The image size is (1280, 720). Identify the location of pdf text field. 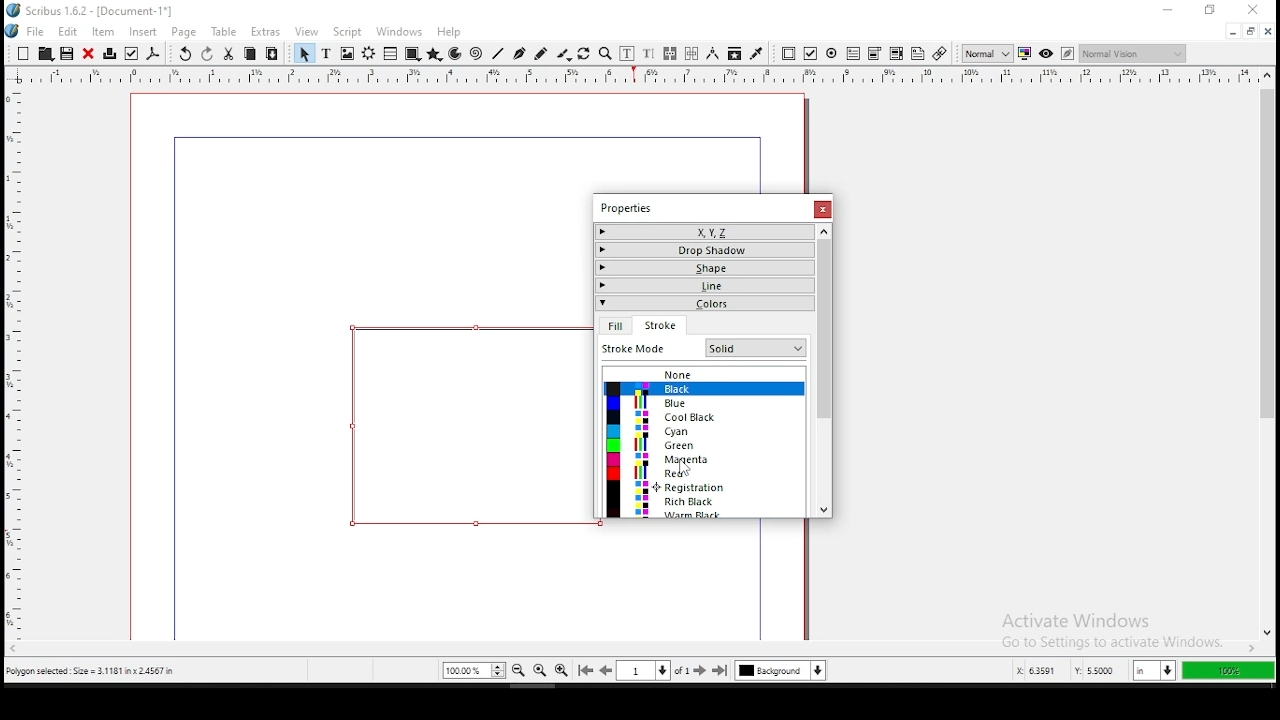
(854, 54).